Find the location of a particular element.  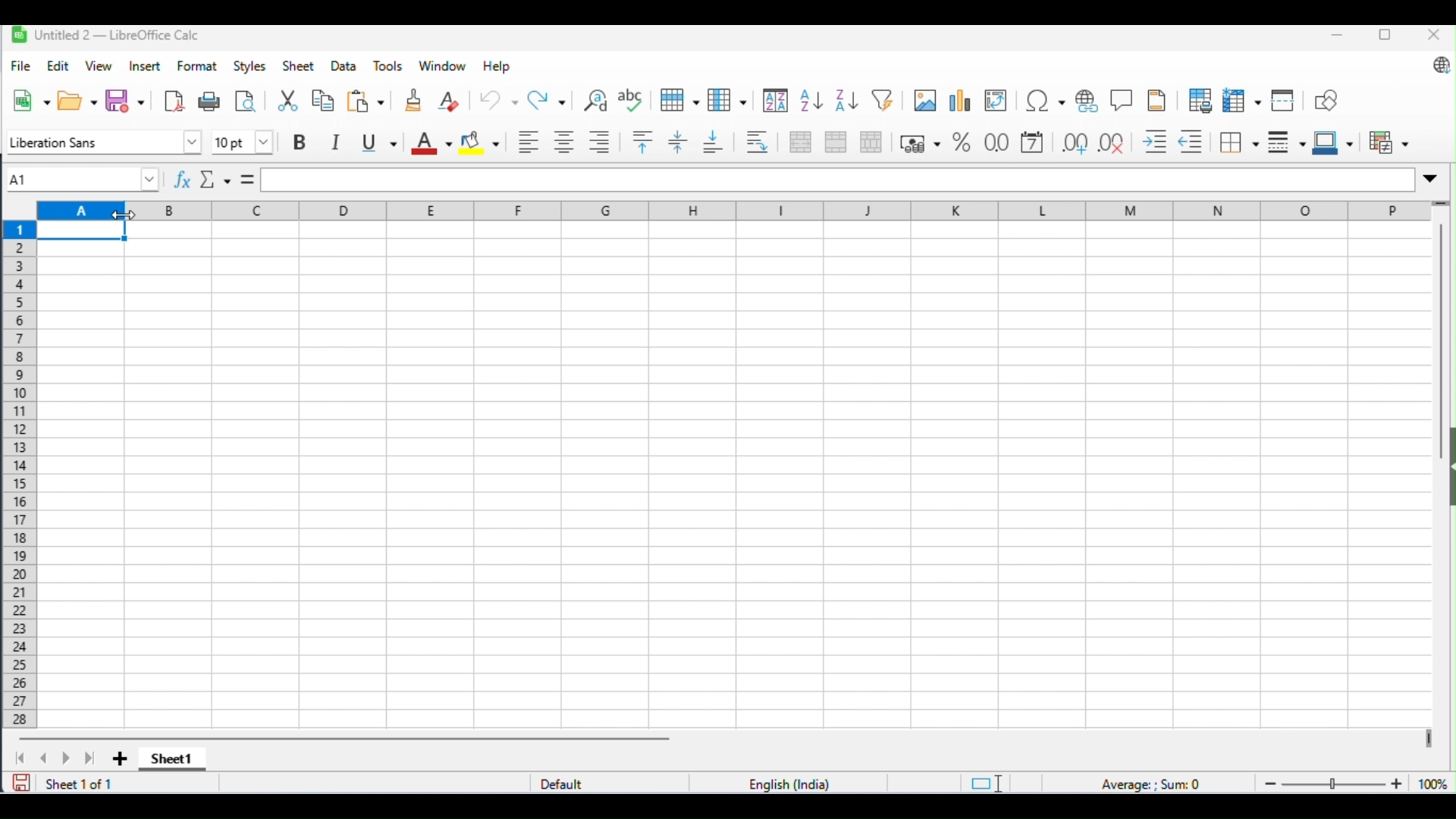

italics is located at coordinates (336, 141).